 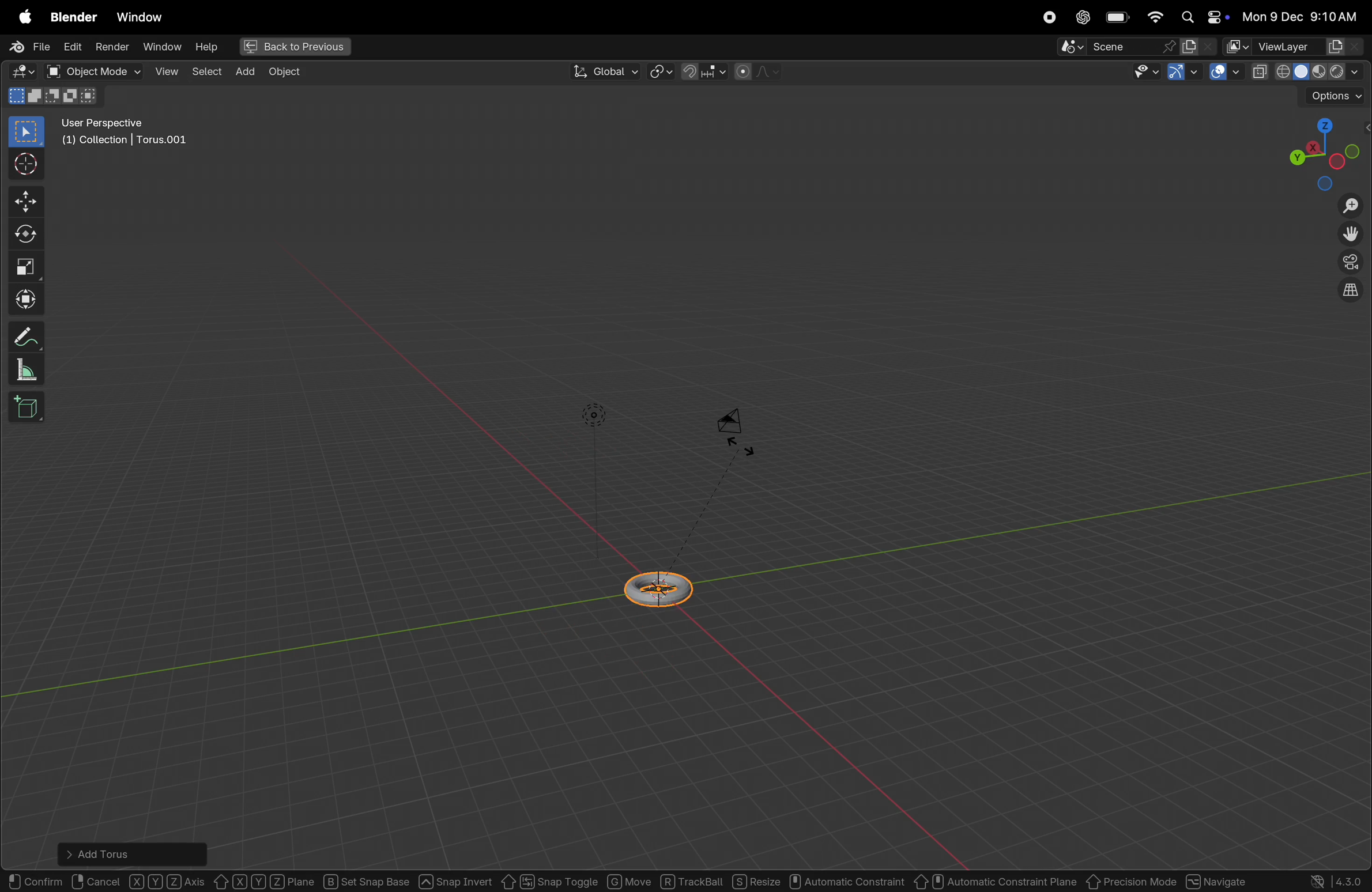 I want to click on ransformpviot point, so click(x=661, y=71).